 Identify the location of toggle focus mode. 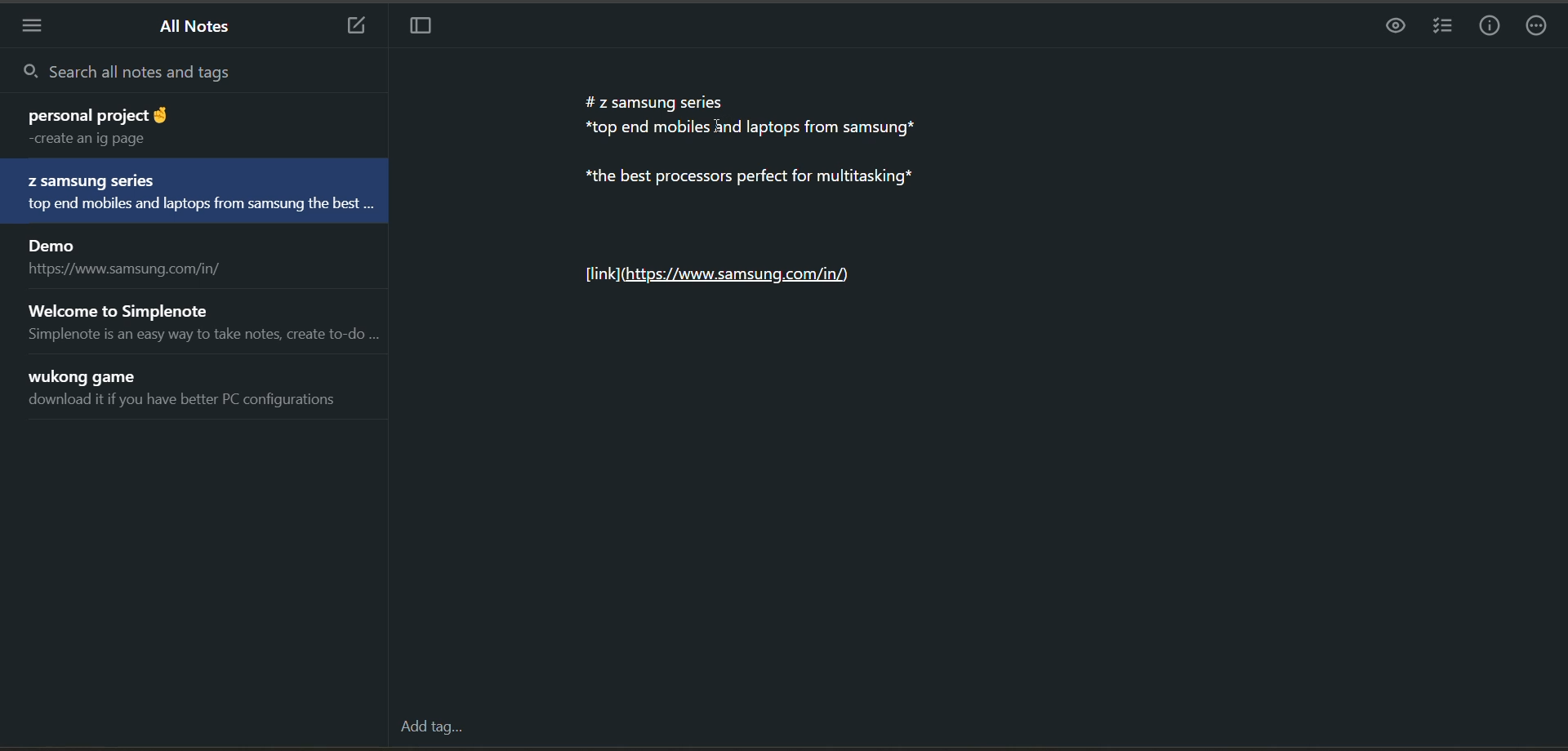
(429, 29).